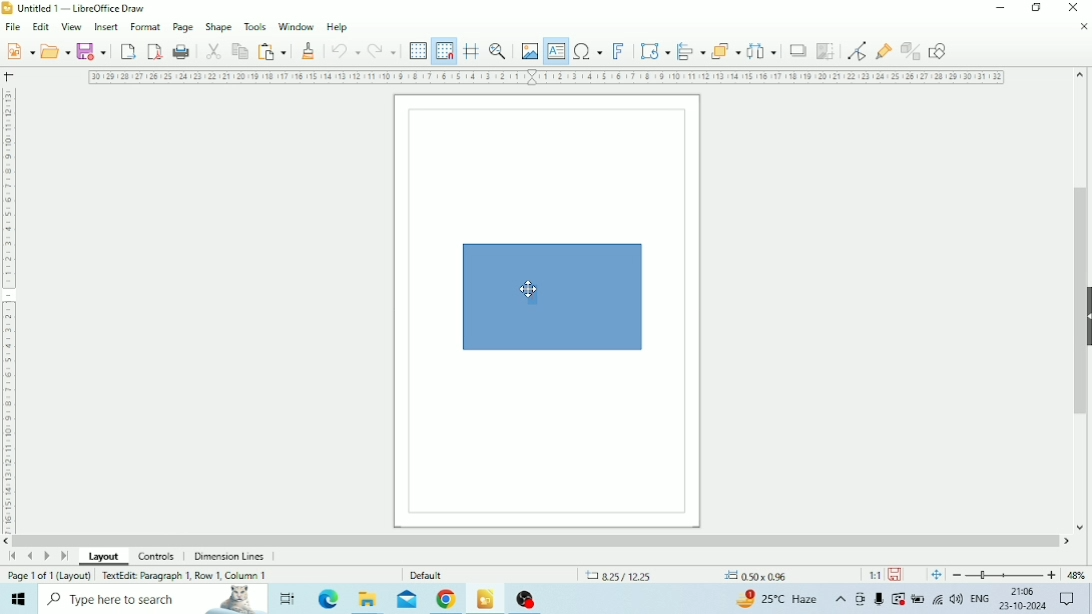 Image resolution: width=1092 pixels, height=614 pixels. I want to click on Page, so click(182, 26).